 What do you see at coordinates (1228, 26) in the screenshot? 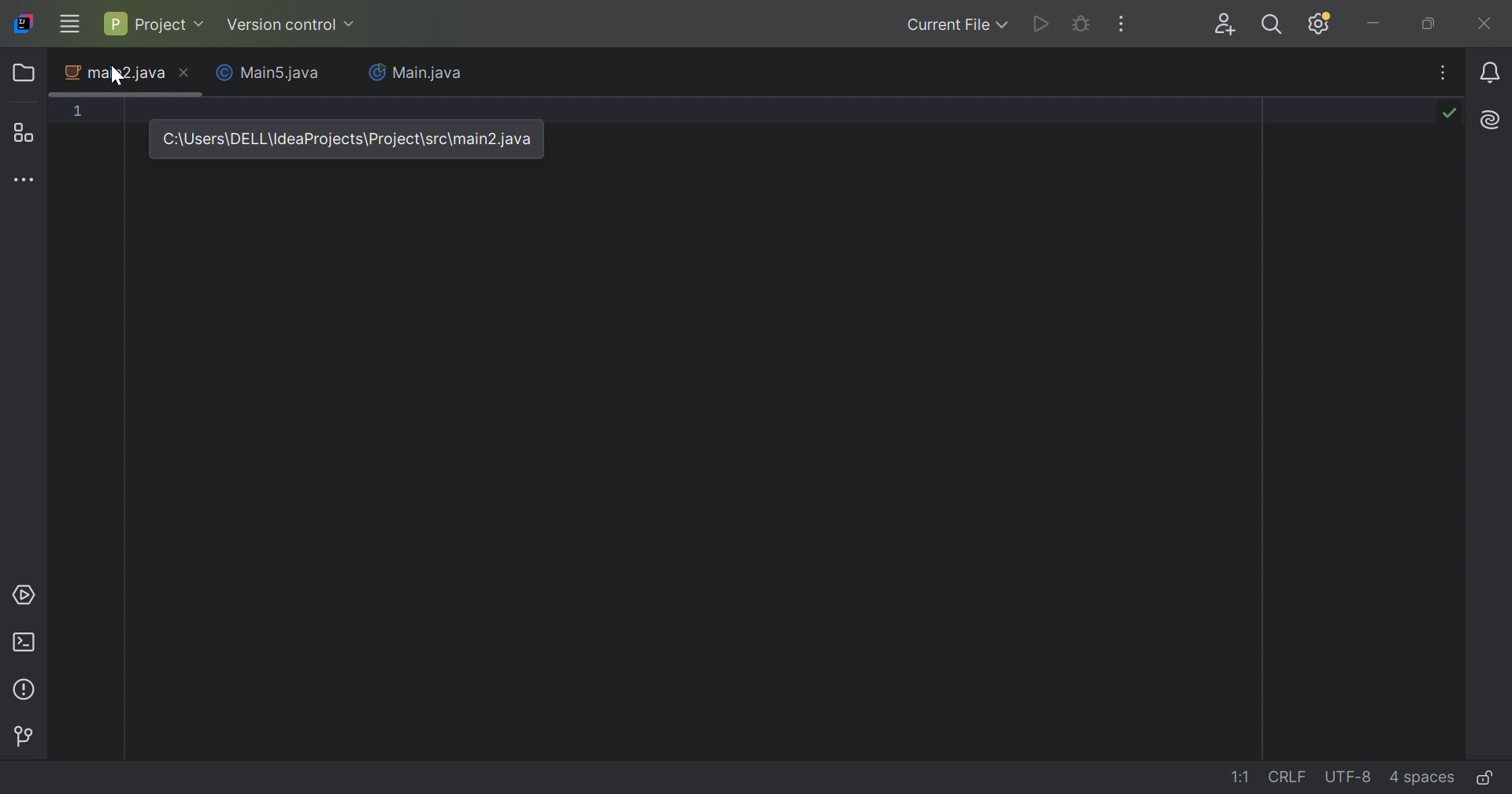
I see `Code with me` at bounding box center [1228, 26].